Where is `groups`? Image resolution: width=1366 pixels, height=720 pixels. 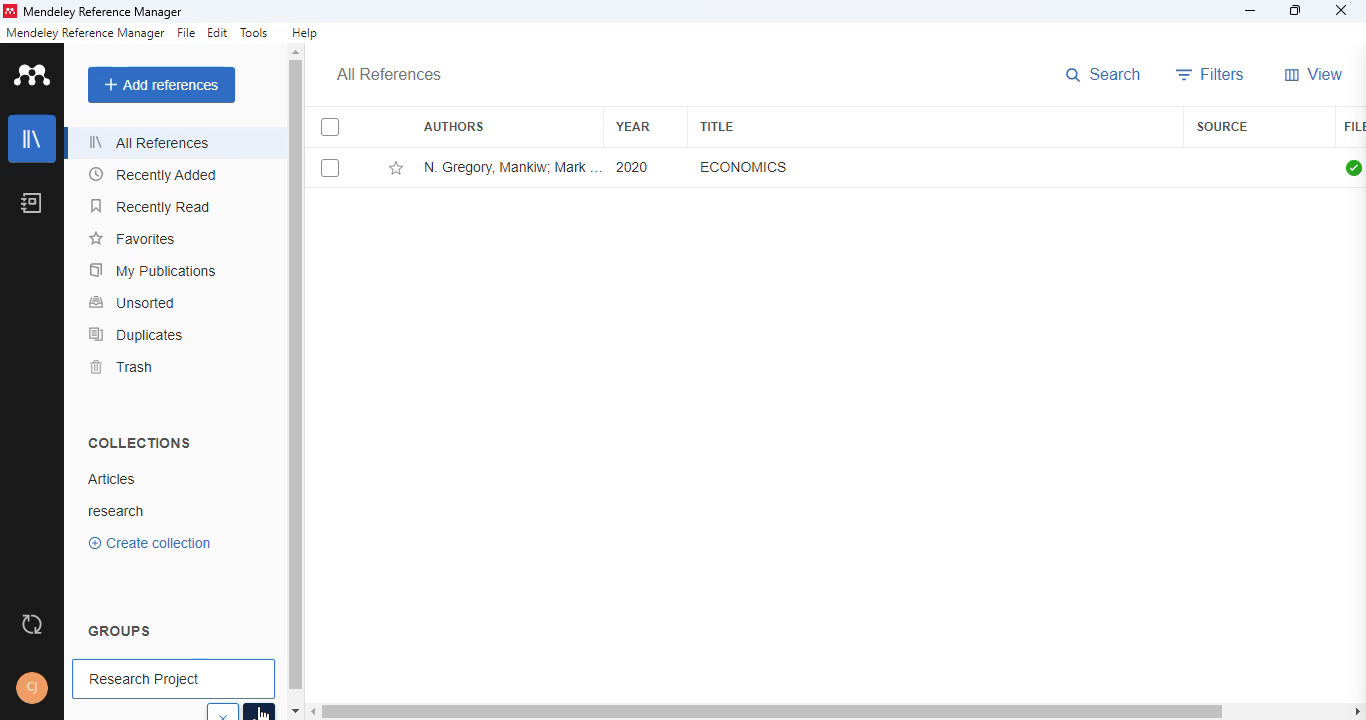 groups is located at coordinates (119, 630).